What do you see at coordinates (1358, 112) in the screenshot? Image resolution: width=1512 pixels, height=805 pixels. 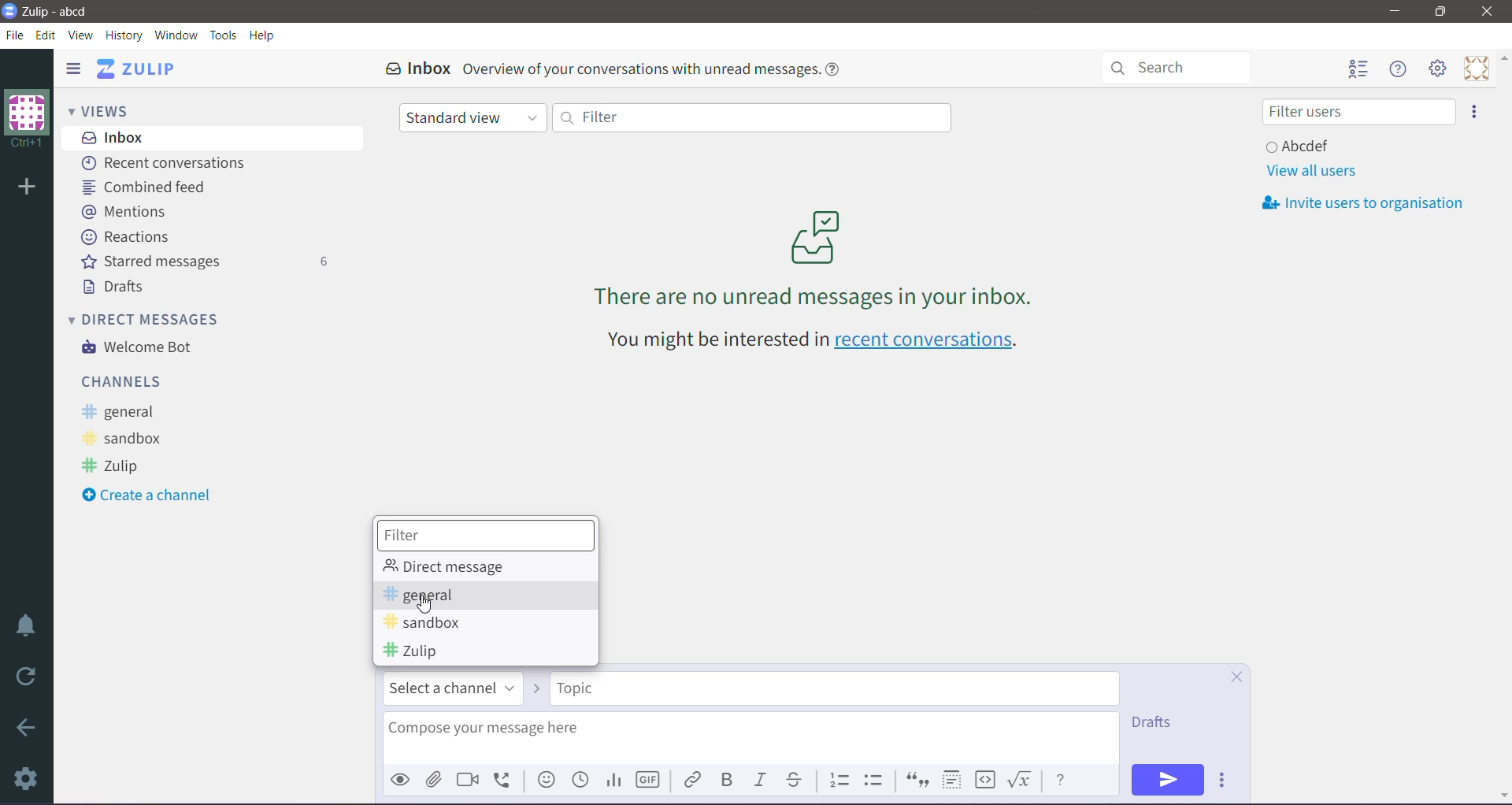 I see `Filter users` at bounding box center [1358, 112].